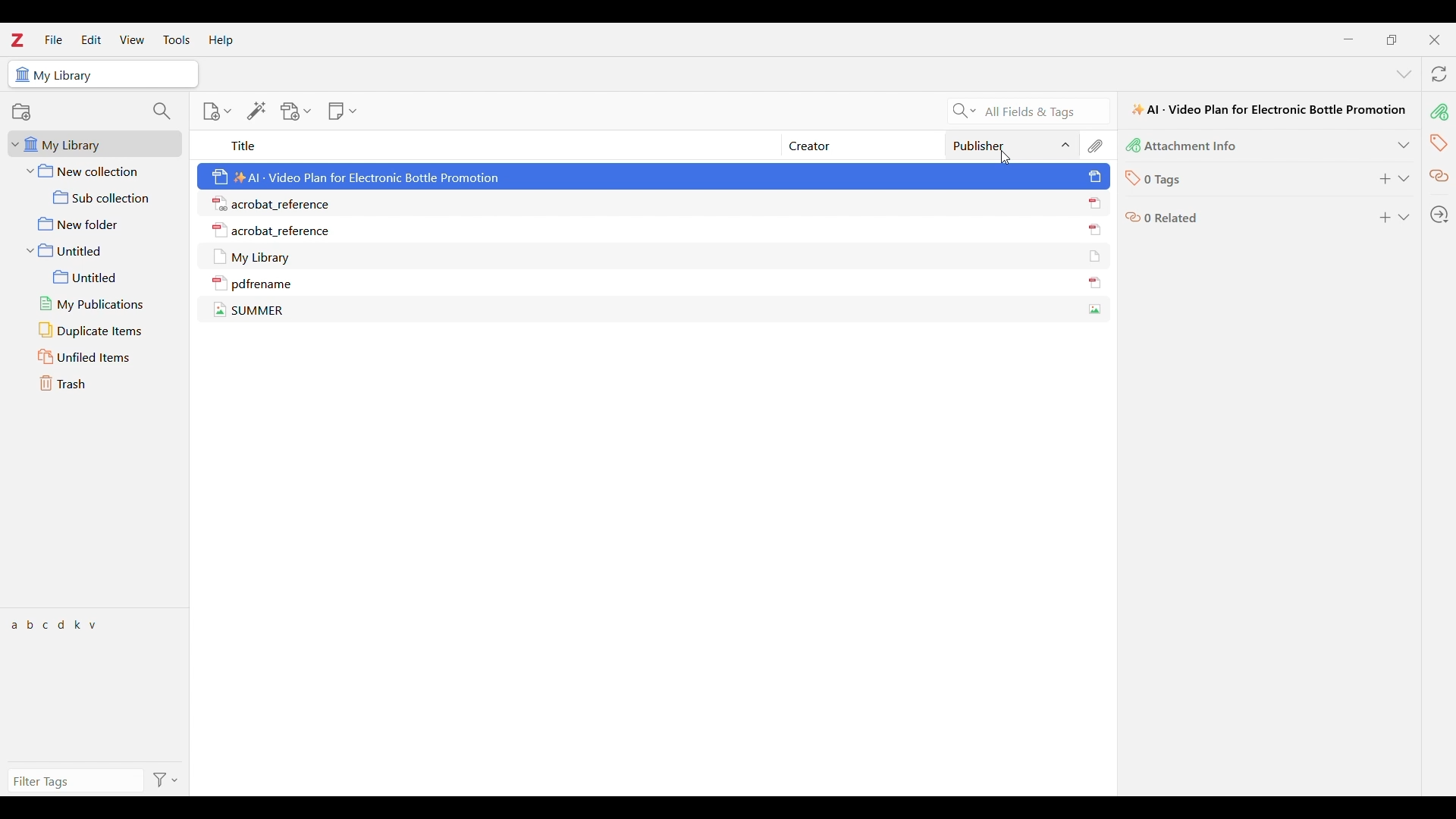  What do you see at coordinates (487, 145) in the screenshot?
I see `Title column` at bounding box center [487, 145].